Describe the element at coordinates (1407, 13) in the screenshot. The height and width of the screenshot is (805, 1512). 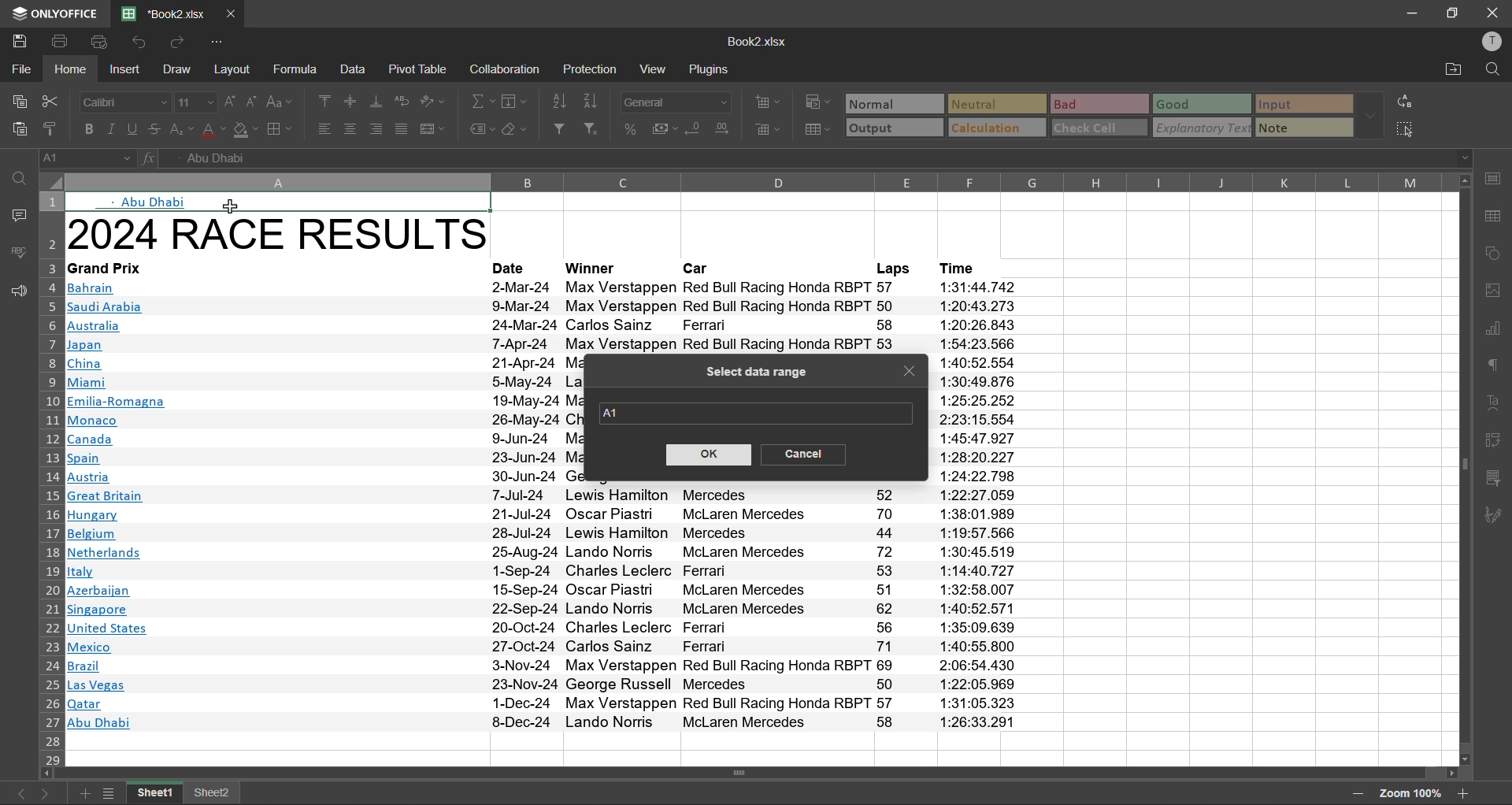
I see `minimize` at that location.